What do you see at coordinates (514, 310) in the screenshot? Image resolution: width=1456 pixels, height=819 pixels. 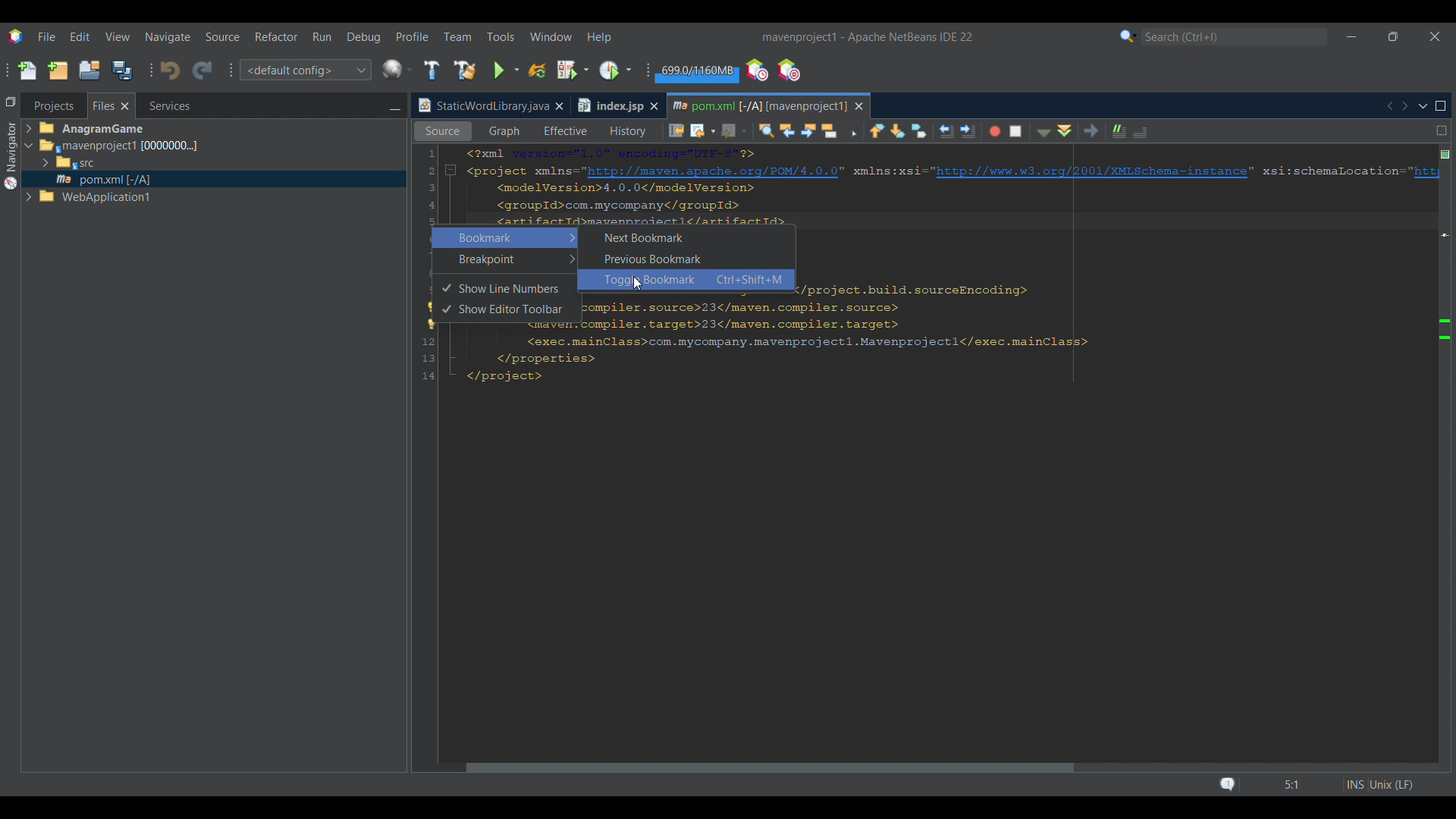 I see `Show editor toolbar` at bounding box center [514, 310].